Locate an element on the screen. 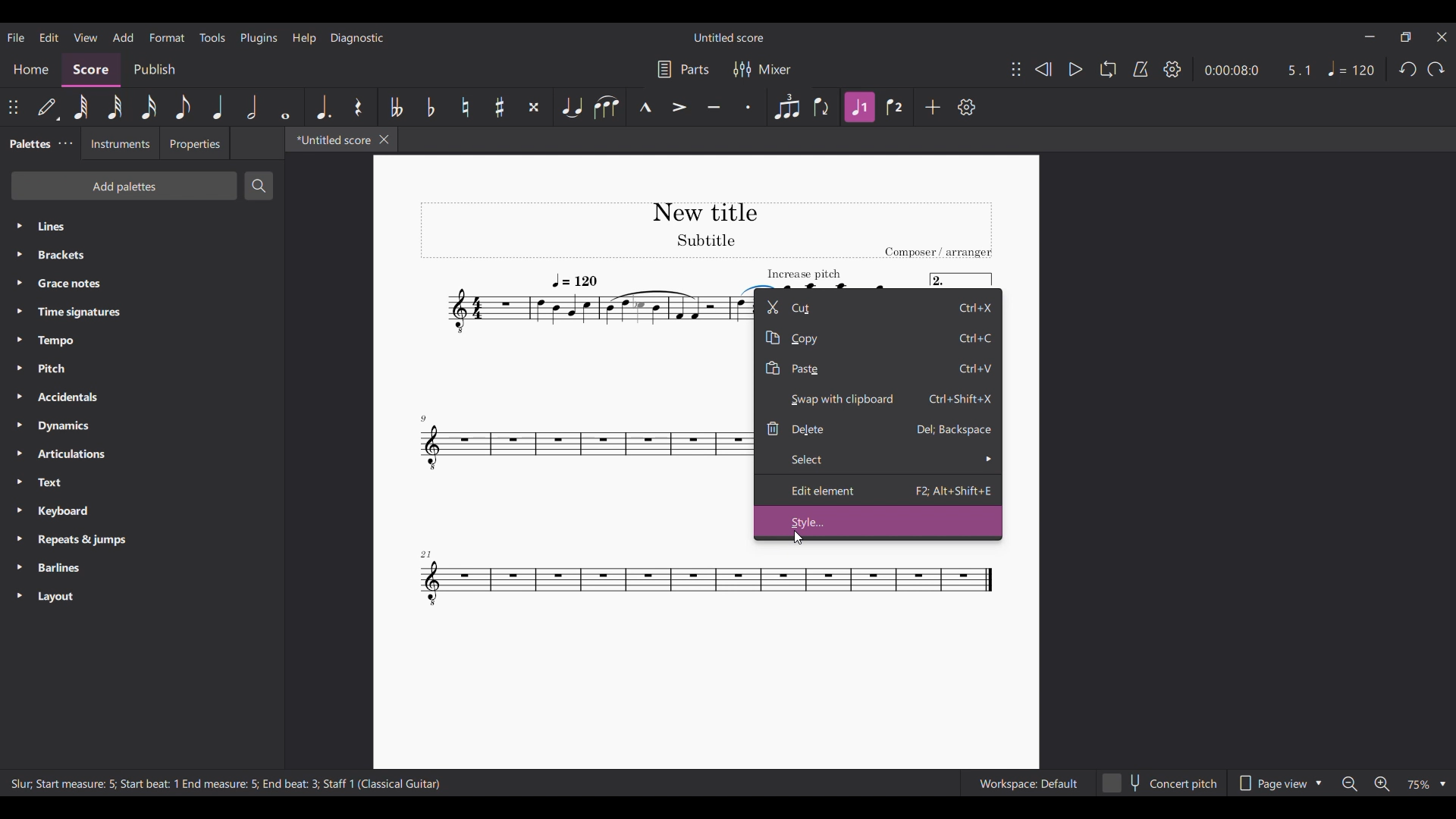 The image size is (1456, 819). Repeats & jumps is located at coordinates (143, 539).